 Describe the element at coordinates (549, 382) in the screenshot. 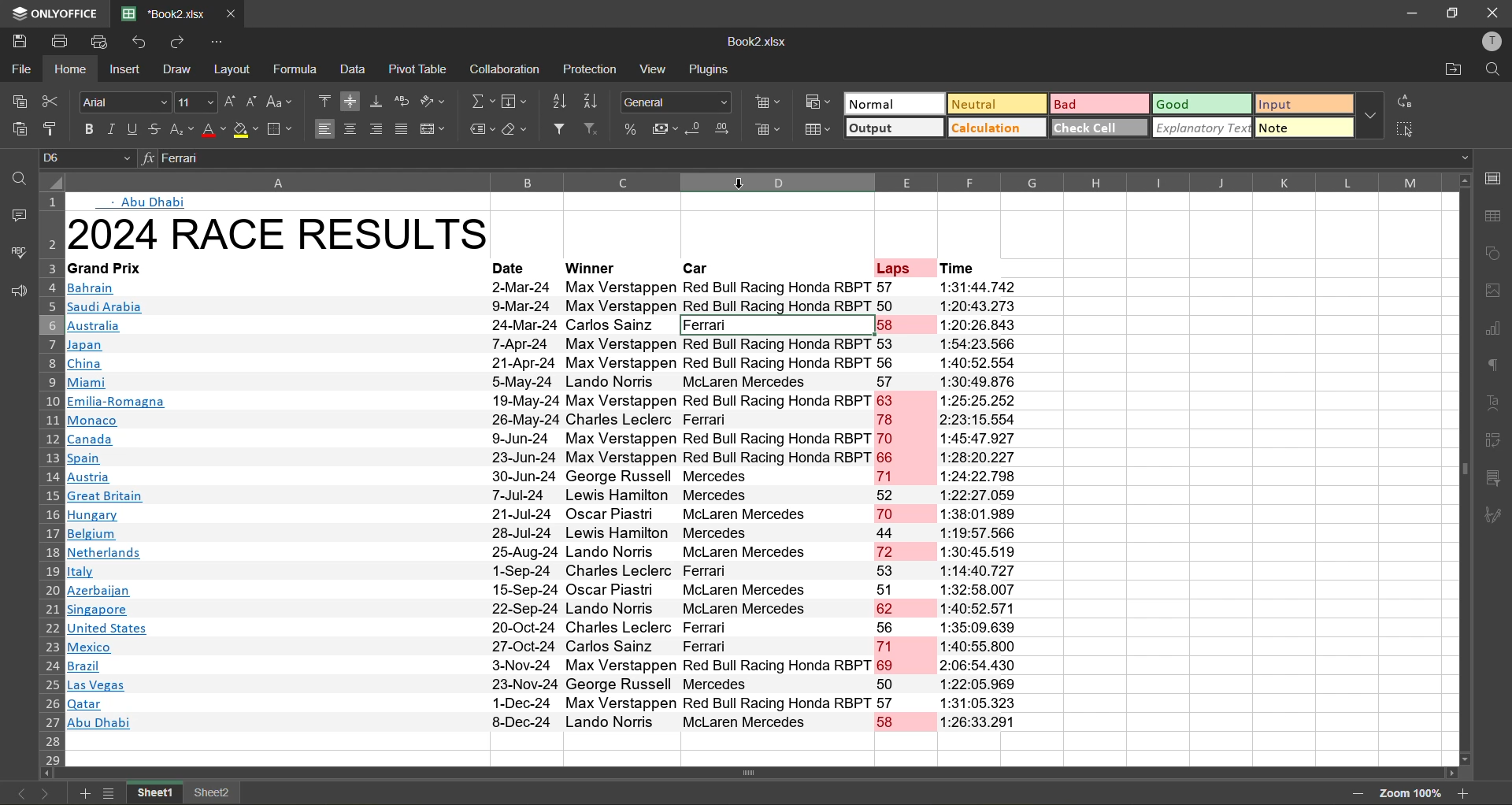

I see `| Miami 55-May-24 Lando Norris McLaren Mercedes 57 1:30:49.876` at that location.